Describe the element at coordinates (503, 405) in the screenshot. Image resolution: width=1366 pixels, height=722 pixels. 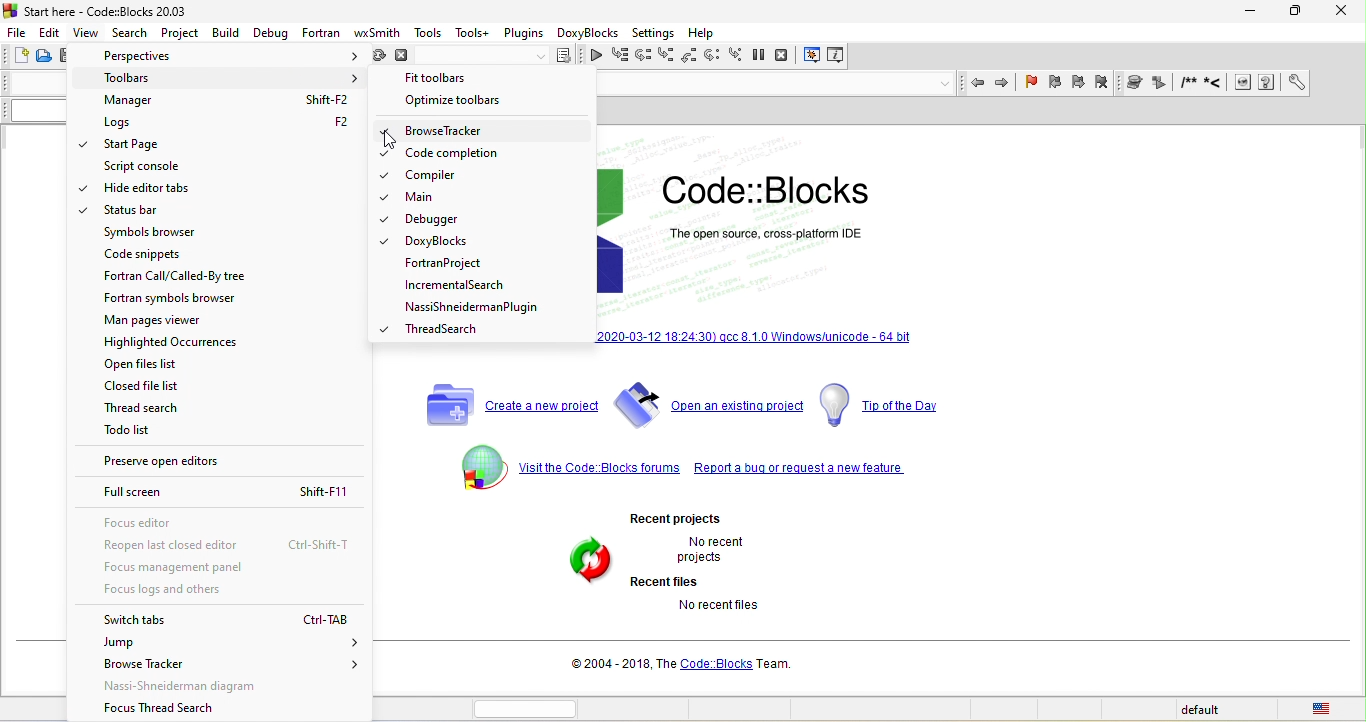
I see `create a new project` at that location.